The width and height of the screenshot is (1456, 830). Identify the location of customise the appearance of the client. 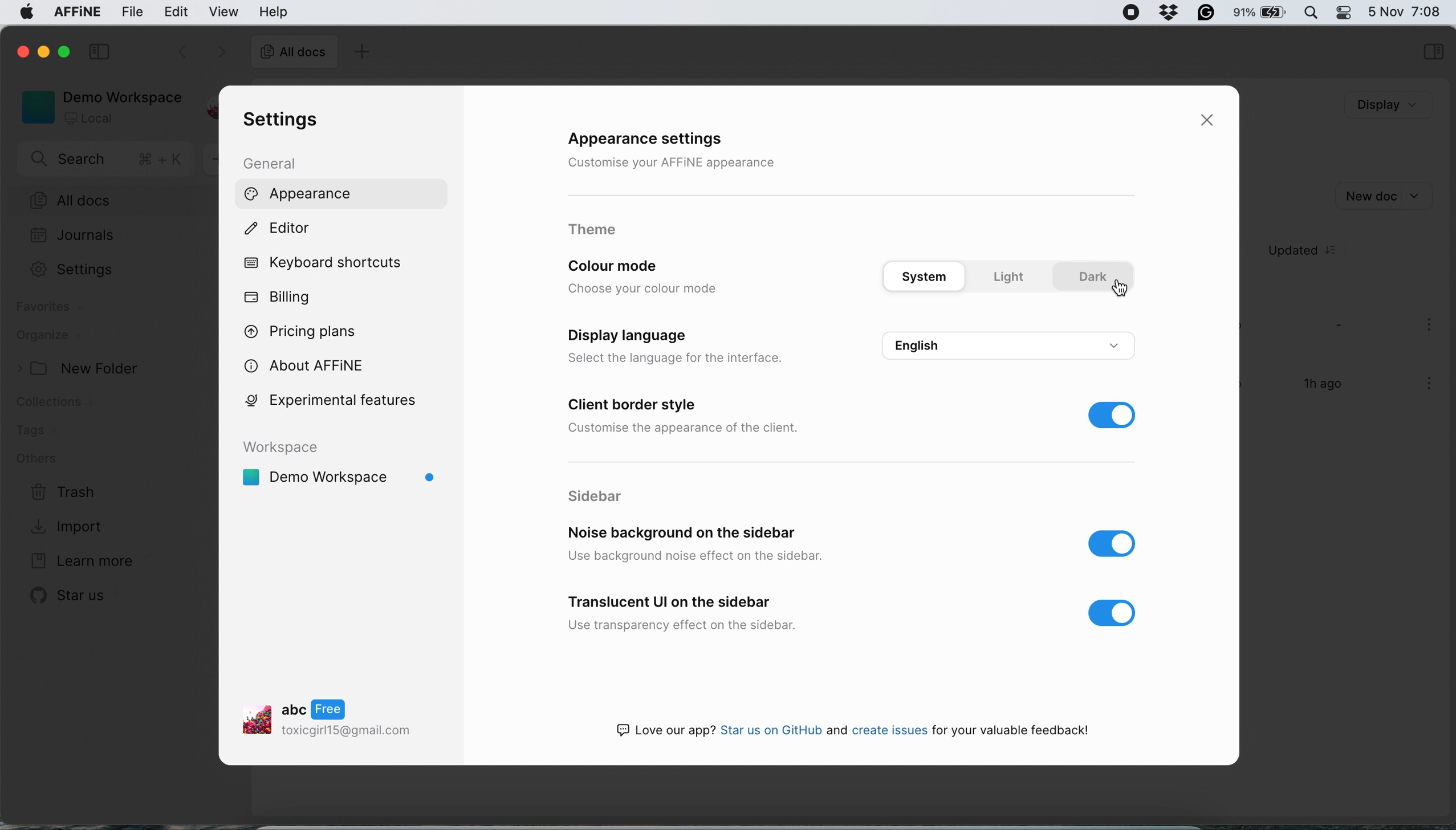
(690, 430).